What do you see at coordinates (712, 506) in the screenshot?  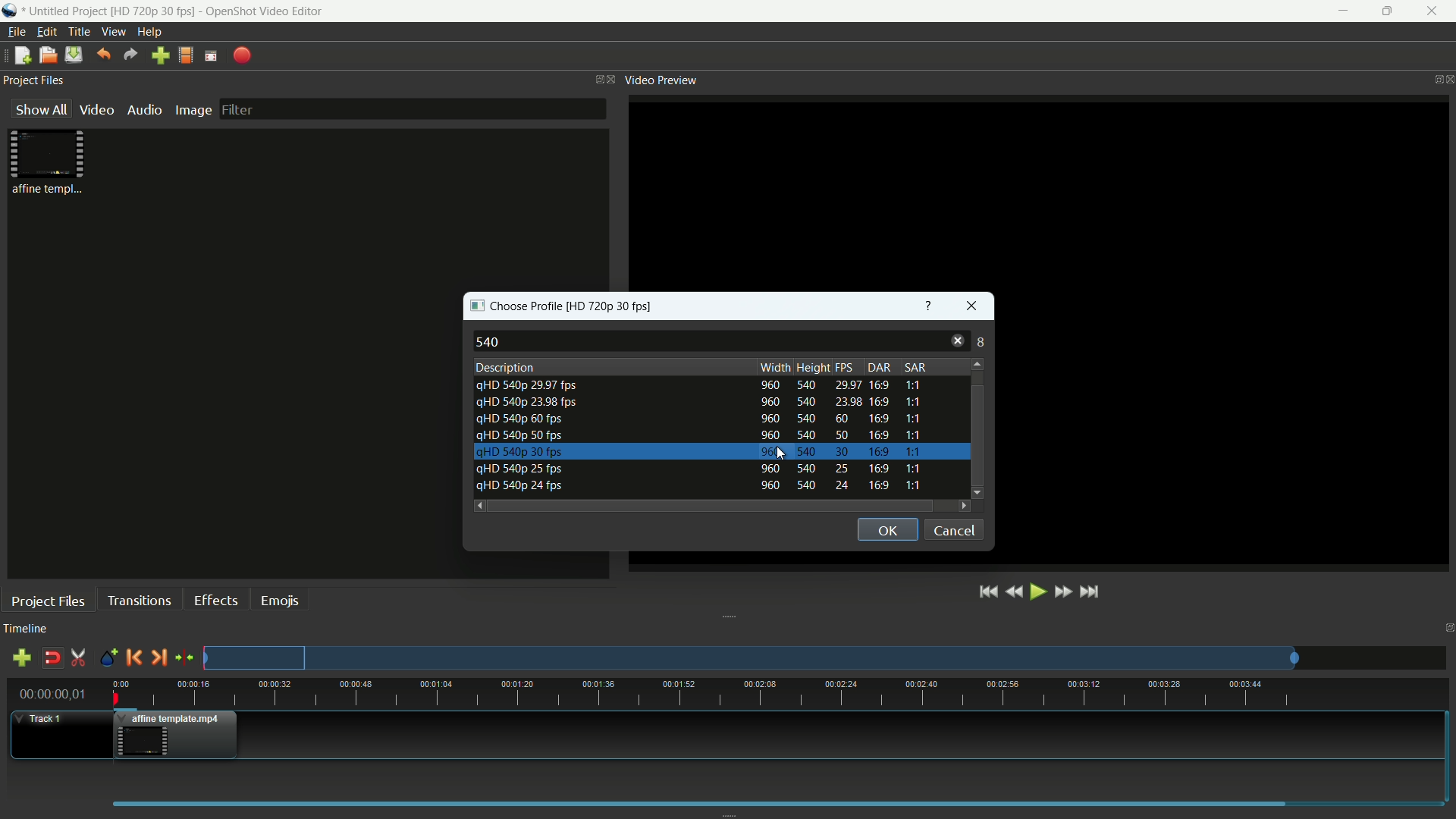 I see `scroll bar` at bounding box center [712, 506].